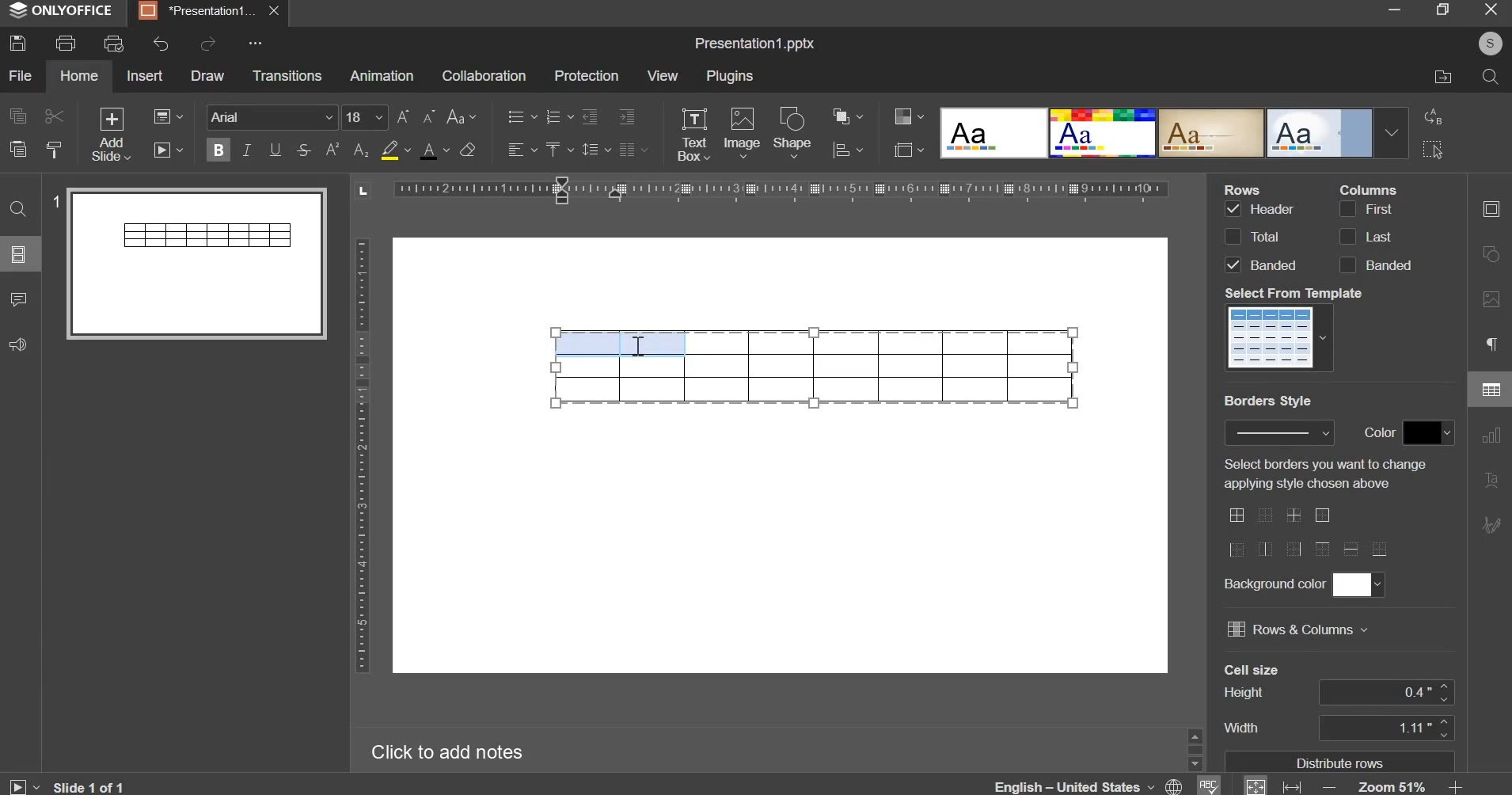 This screenshot has width=1512, height=795. Describe the element at coordinates (589, 116) in the screenshot. I see `decrease indent` at that location.